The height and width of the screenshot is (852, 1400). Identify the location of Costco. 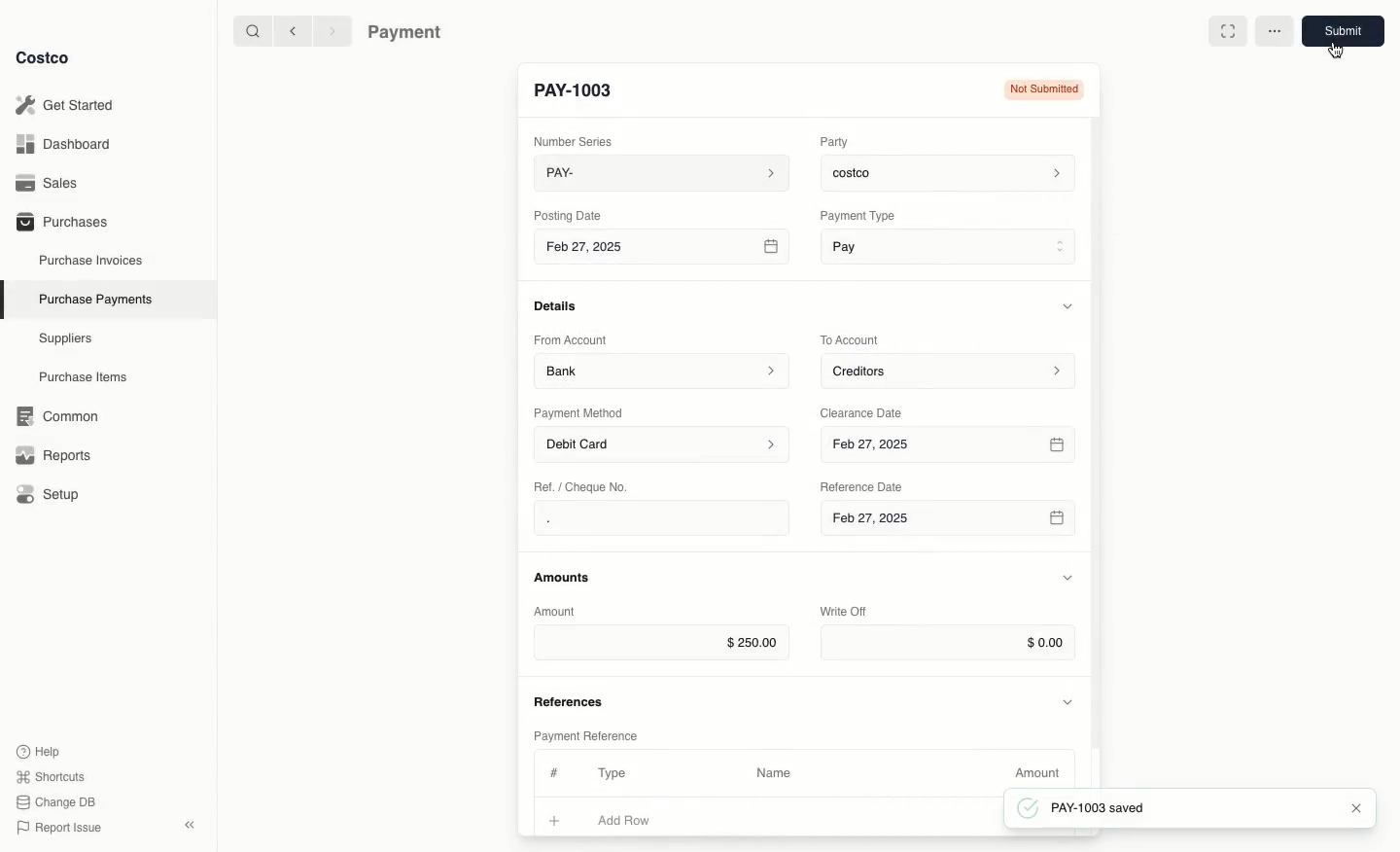
(42, 57).